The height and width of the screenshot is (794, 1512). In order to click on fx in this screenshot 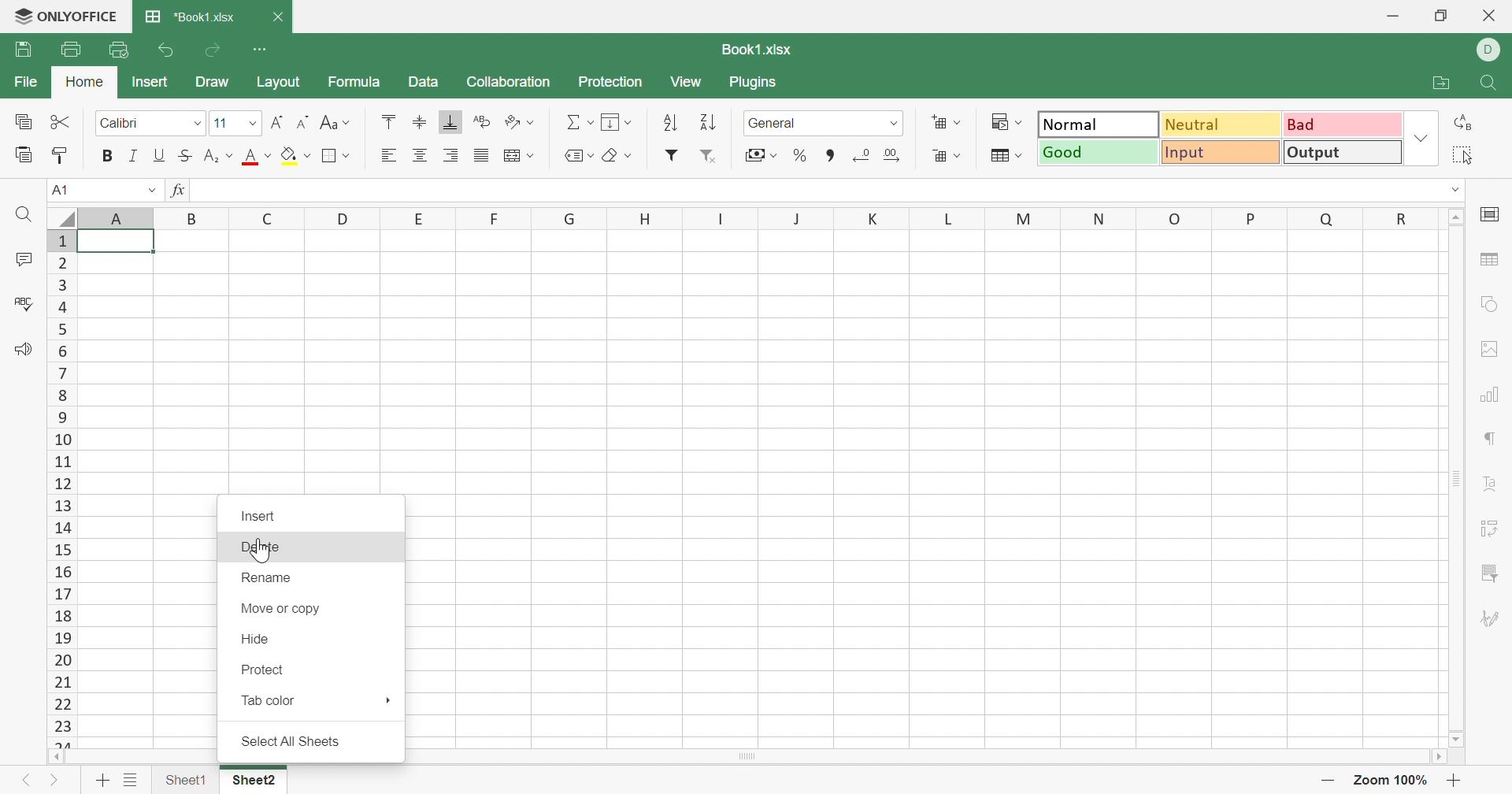, I will do `click(180, 191)`.